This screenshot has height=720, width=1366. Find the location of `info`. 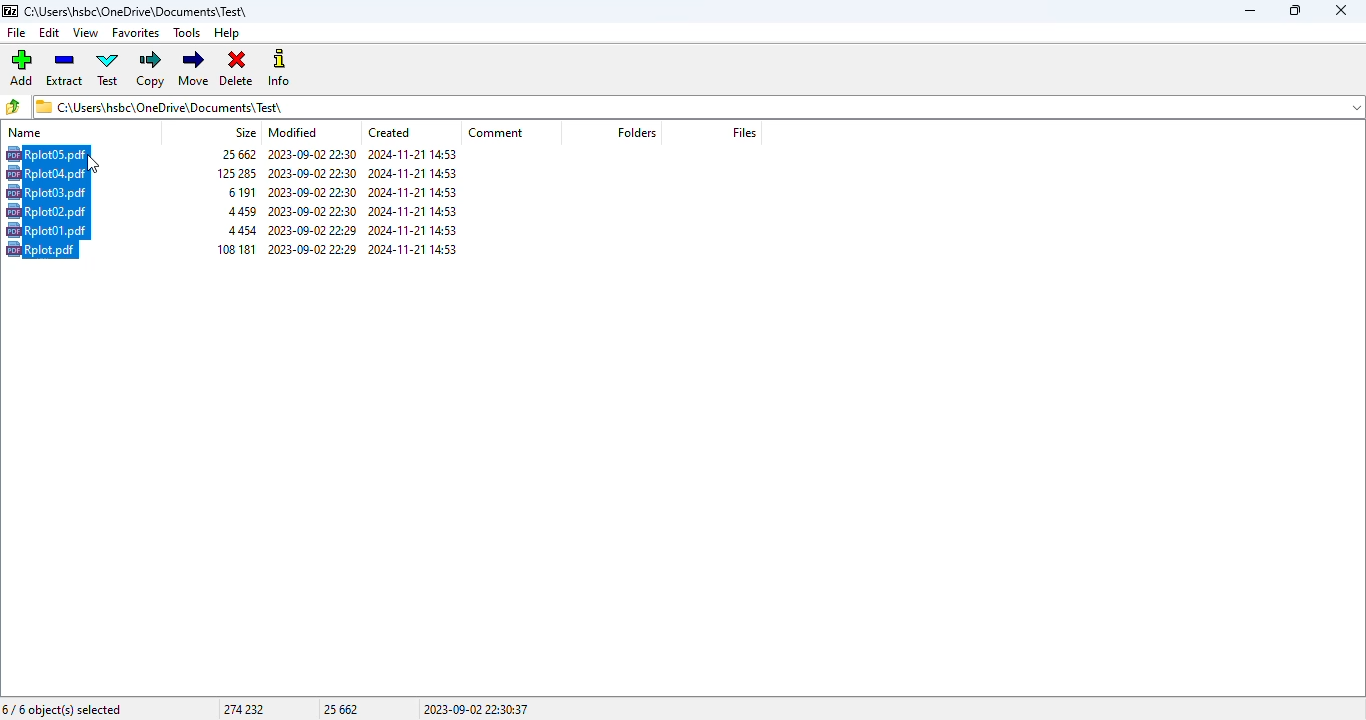

info is located at coordinates (281, 68).